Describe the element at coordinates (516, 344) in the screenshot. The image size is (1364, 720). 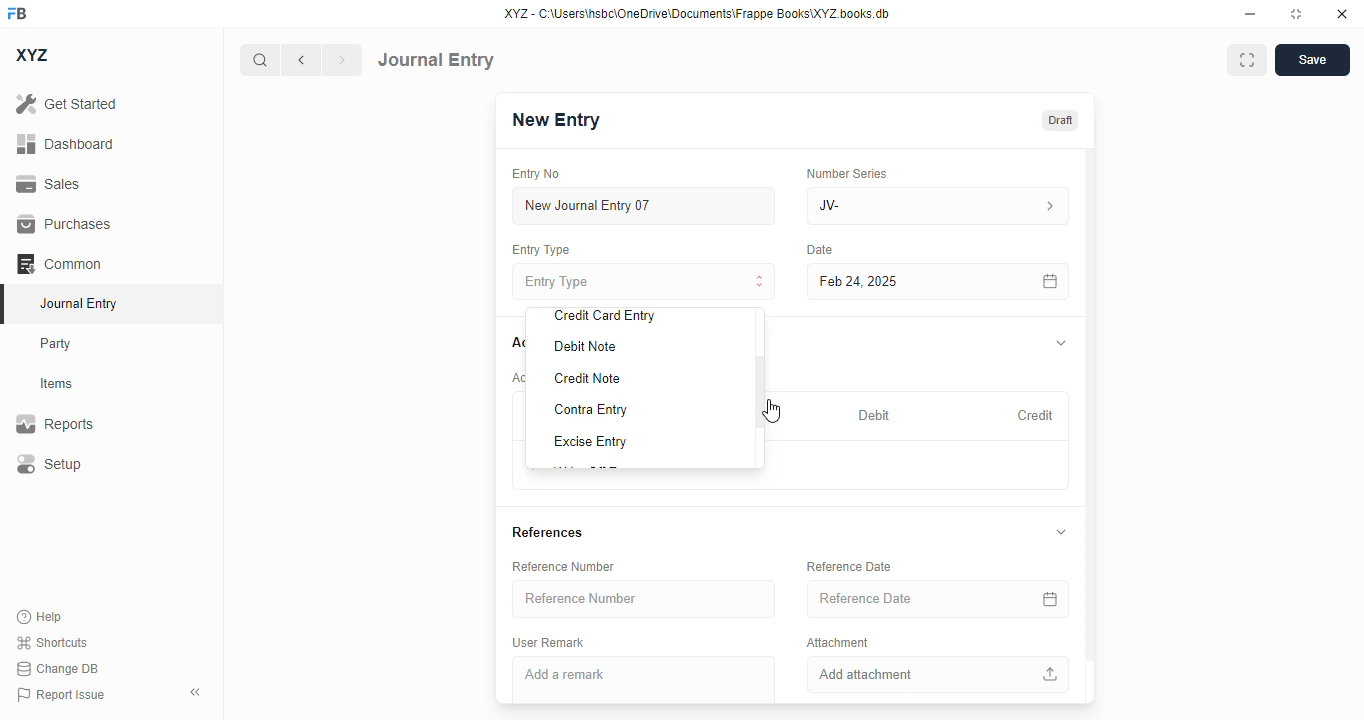
I see `accounts` at that location.